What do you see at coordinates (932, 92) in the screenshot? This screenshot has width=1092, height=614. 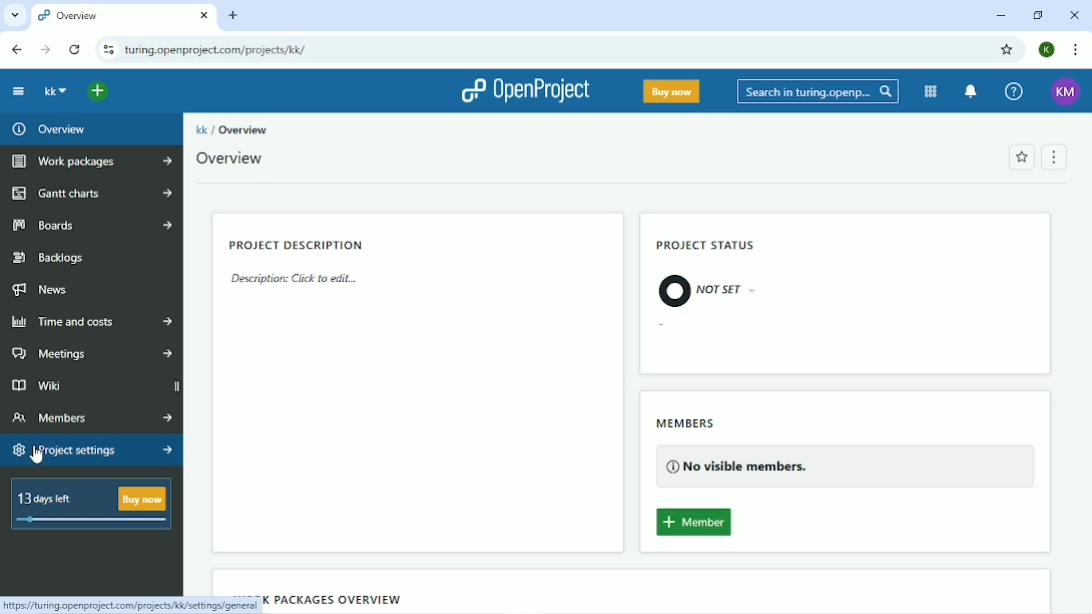 I see `Modules` at bounding box center [932, 92].